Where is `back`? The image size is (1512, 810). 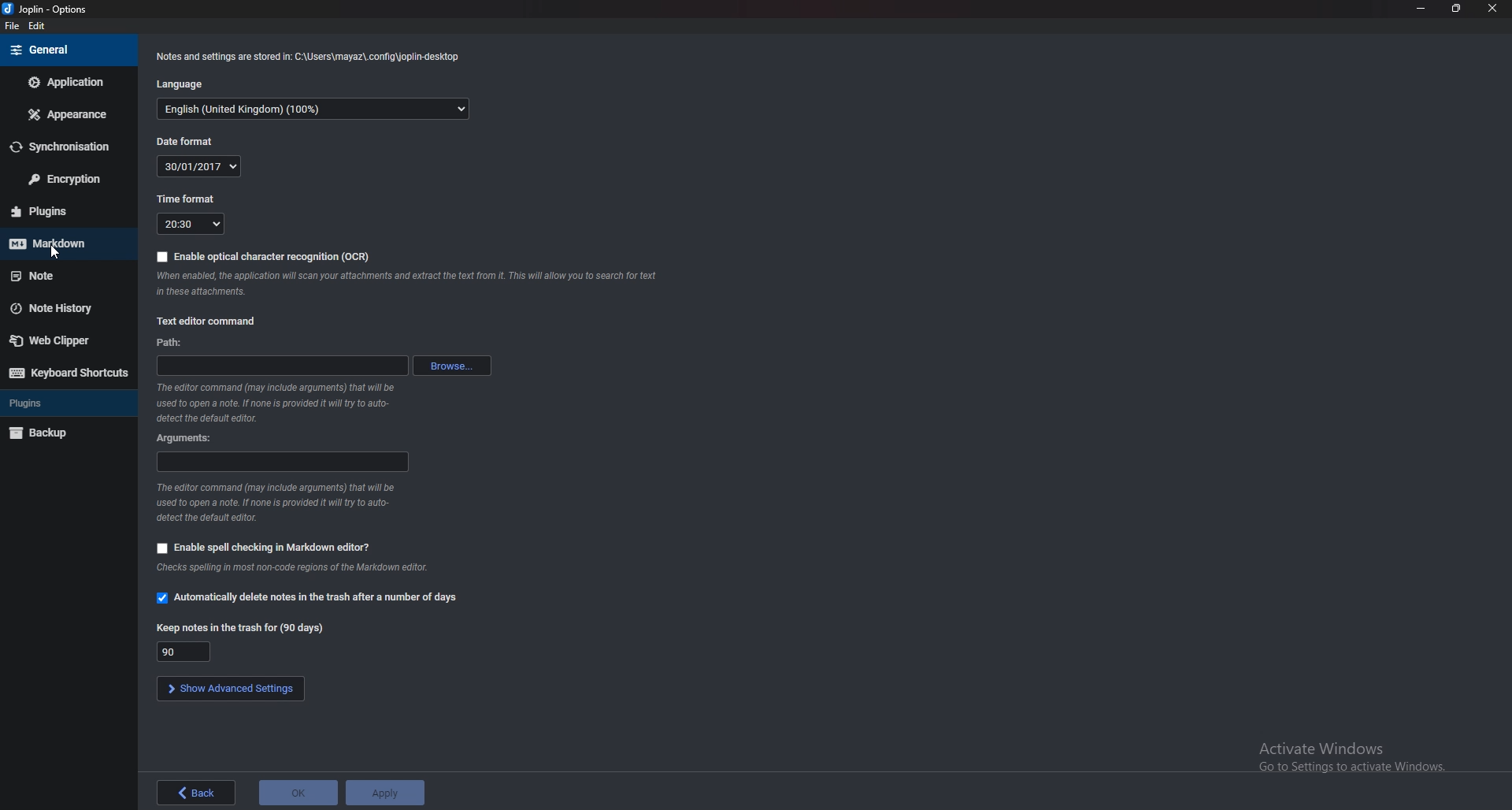
back is located at coordinates (196, 793).